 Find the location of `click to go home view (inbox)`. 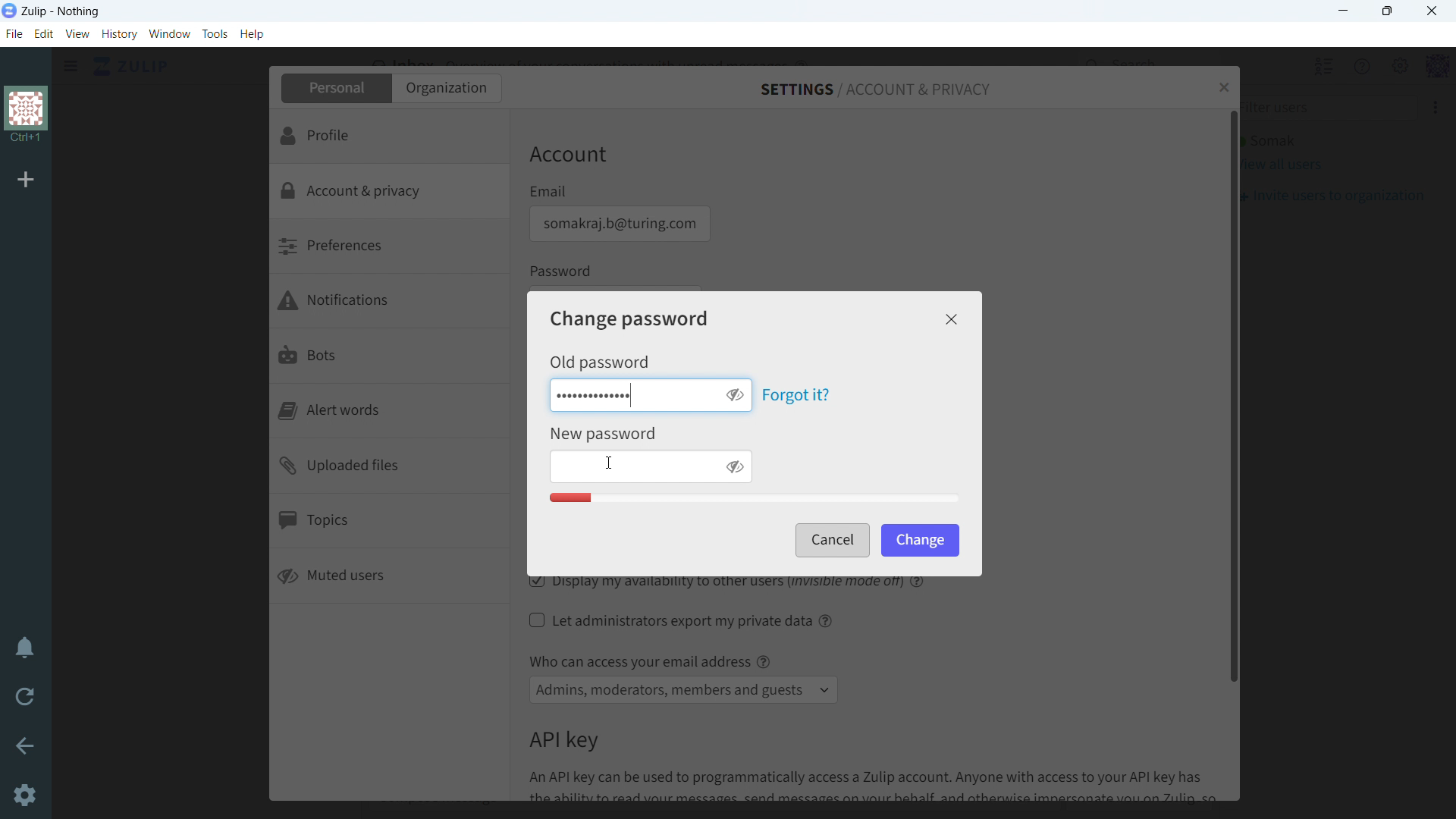

click to go home view (inbox) is located at coordinates (132, 65).